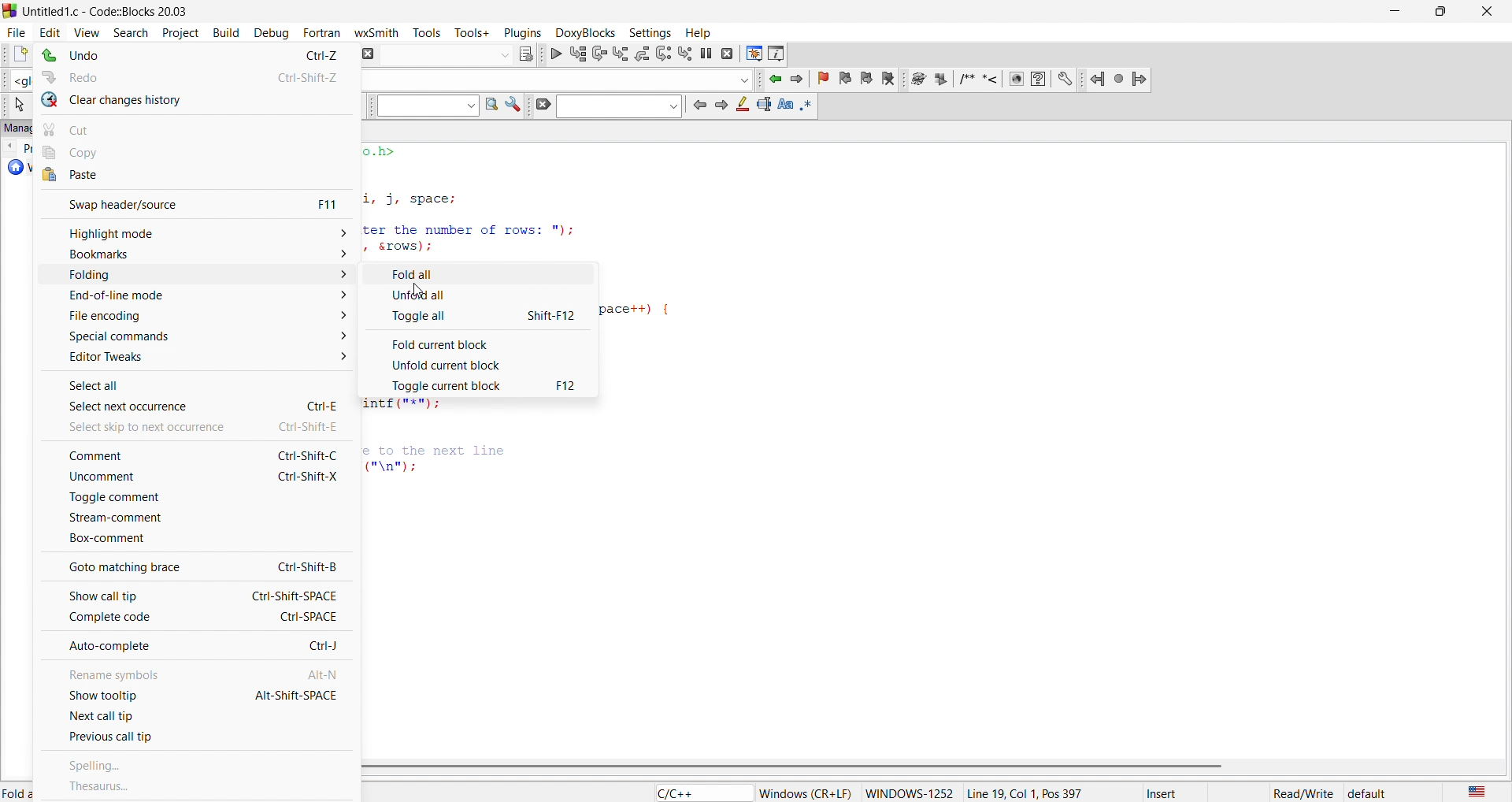  What do you see at coordinates (806, 793) in the screenshot?
I see `Windows (CR+LF)` at bounding box center [806, 793].